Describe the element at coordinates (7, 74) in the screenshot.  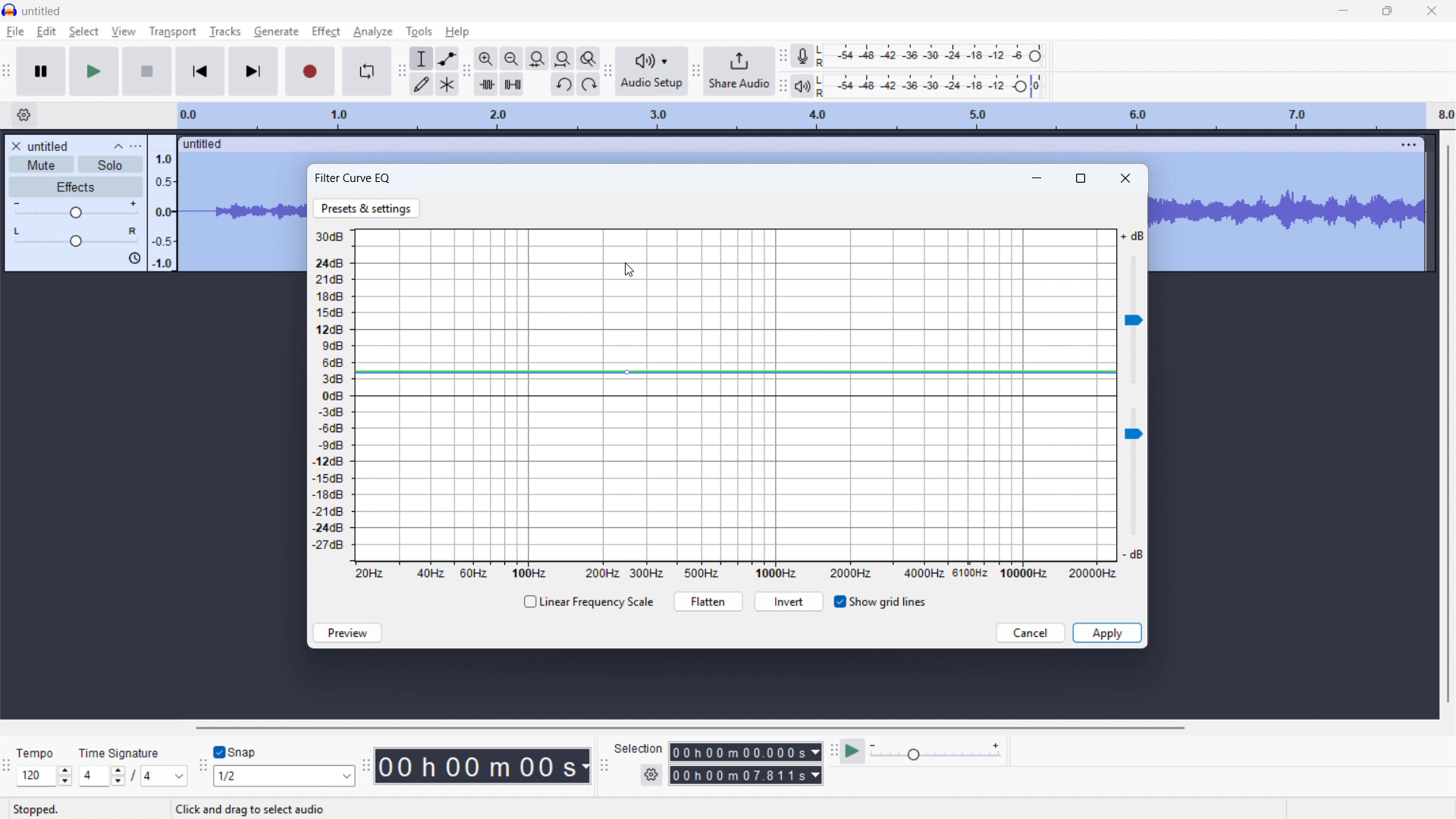
I see `transport toolbar` at that location.